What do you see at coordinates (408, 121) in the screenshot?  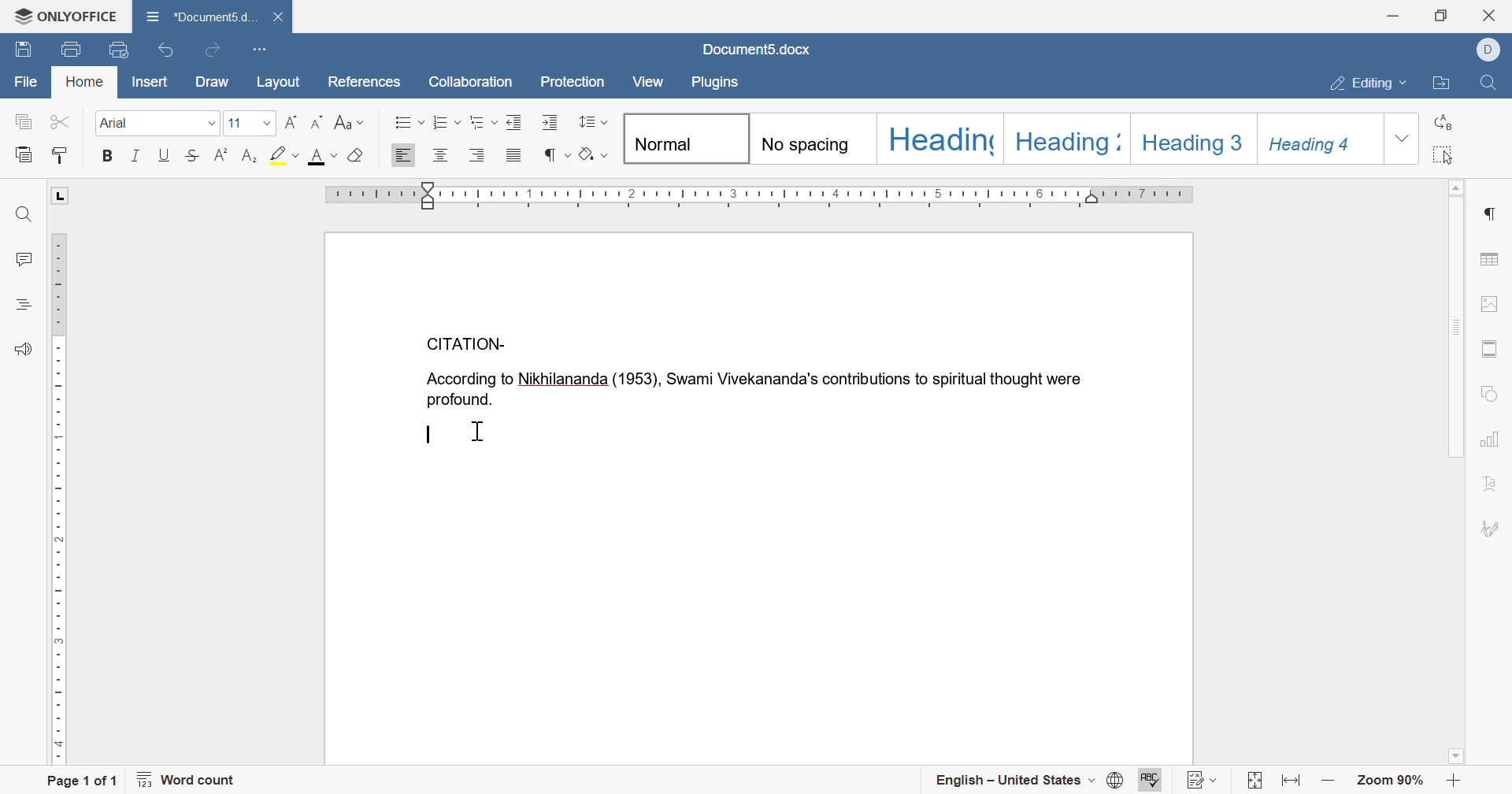 I see `bullets` at bounding box center [408, 121].